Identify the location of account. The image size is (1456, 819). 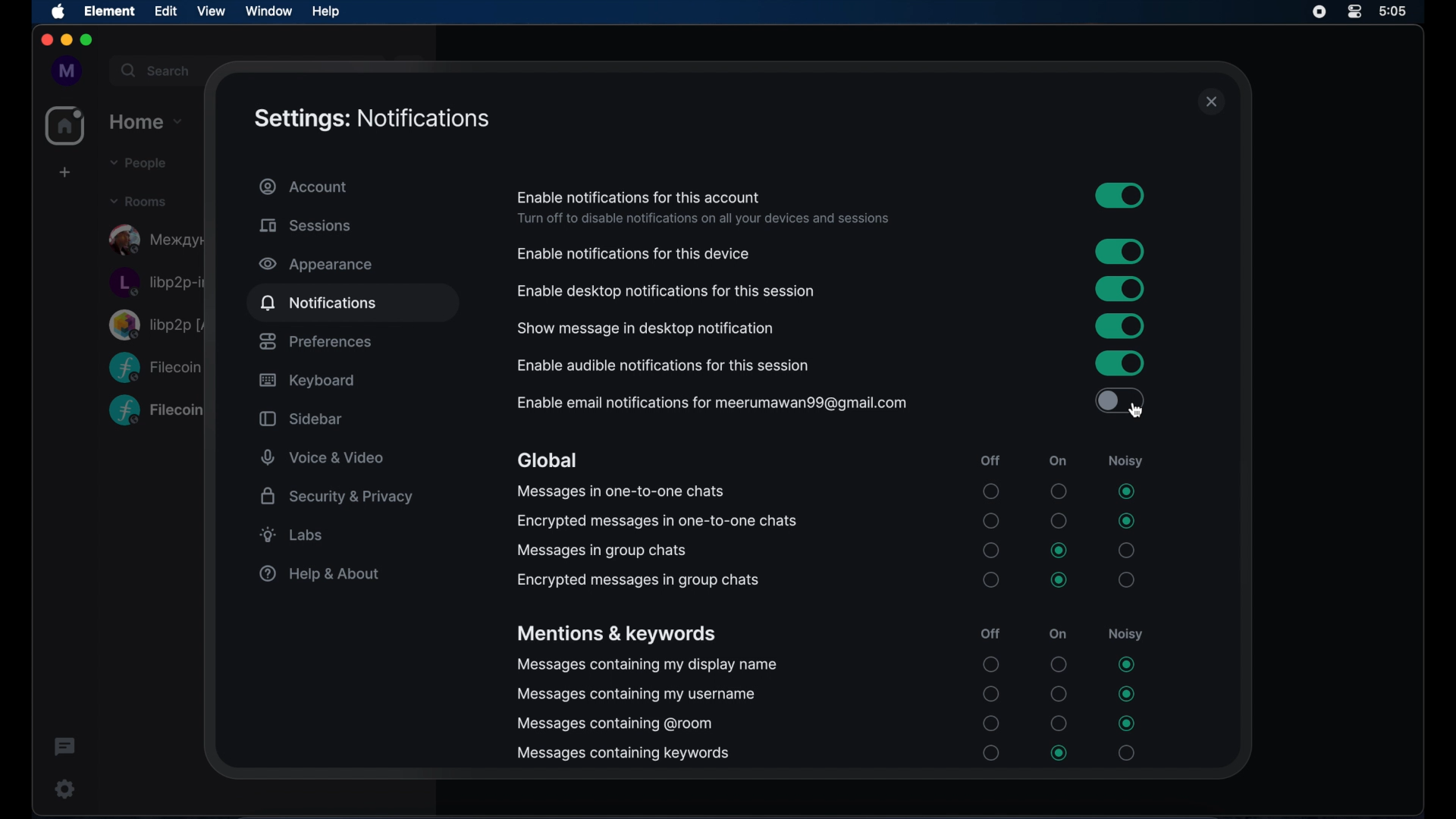
(304, 187).